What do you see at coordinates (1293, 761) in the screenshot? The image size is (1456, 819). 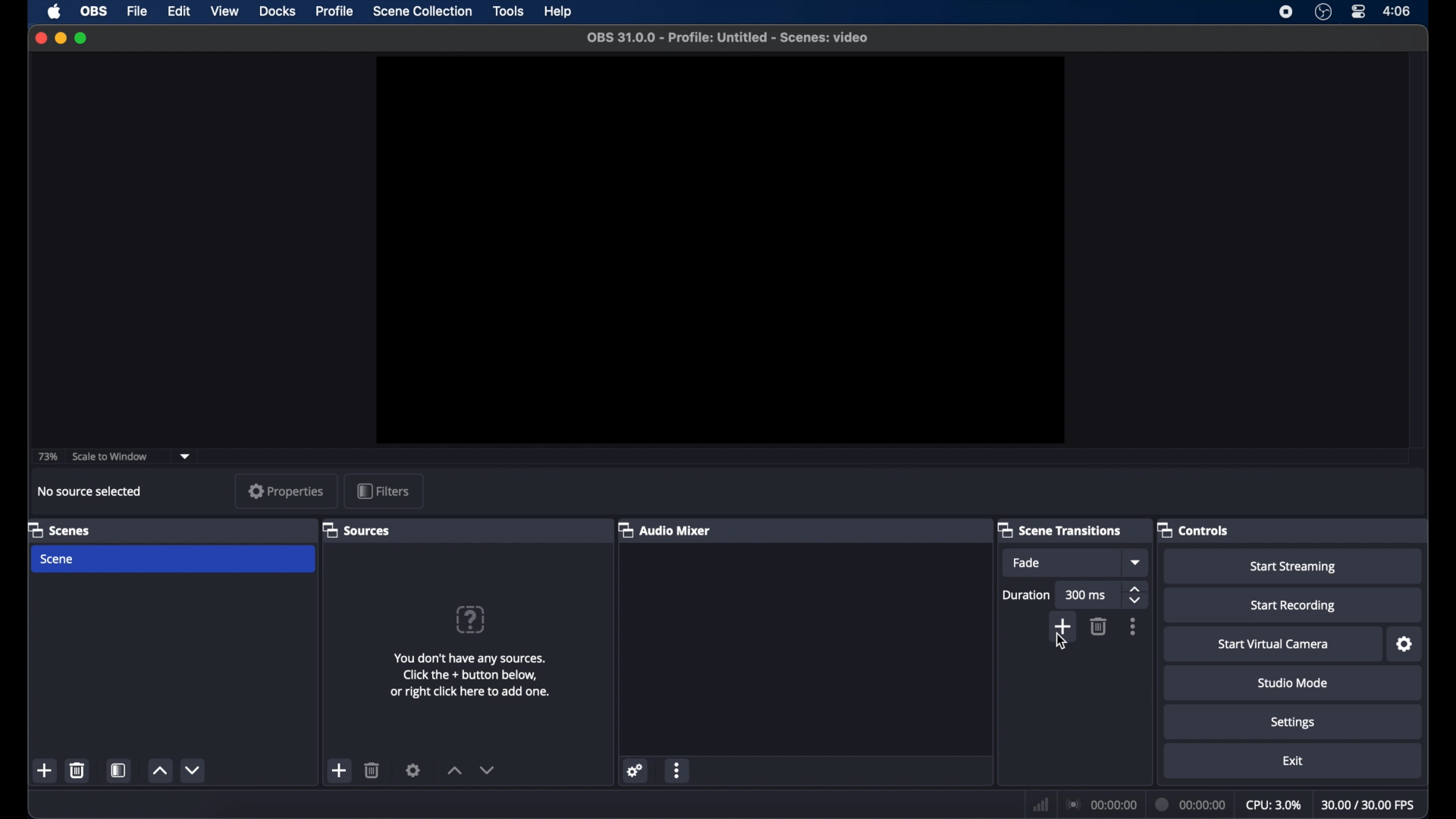 I see `exit` at bounding box center [1293, 761].